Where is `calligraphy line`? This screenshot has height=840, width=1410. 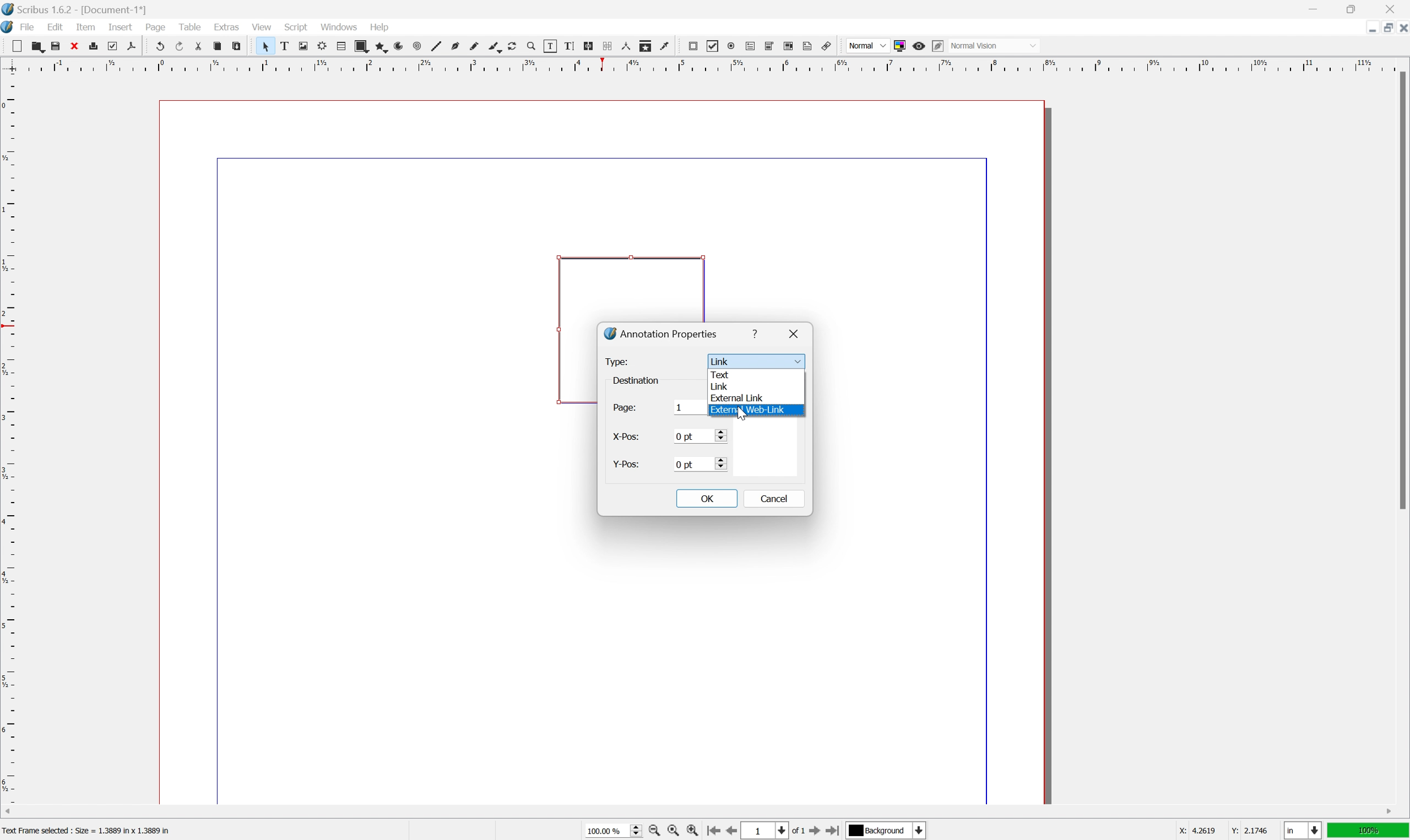 calligraphy line is located at coordinates (494, 46).